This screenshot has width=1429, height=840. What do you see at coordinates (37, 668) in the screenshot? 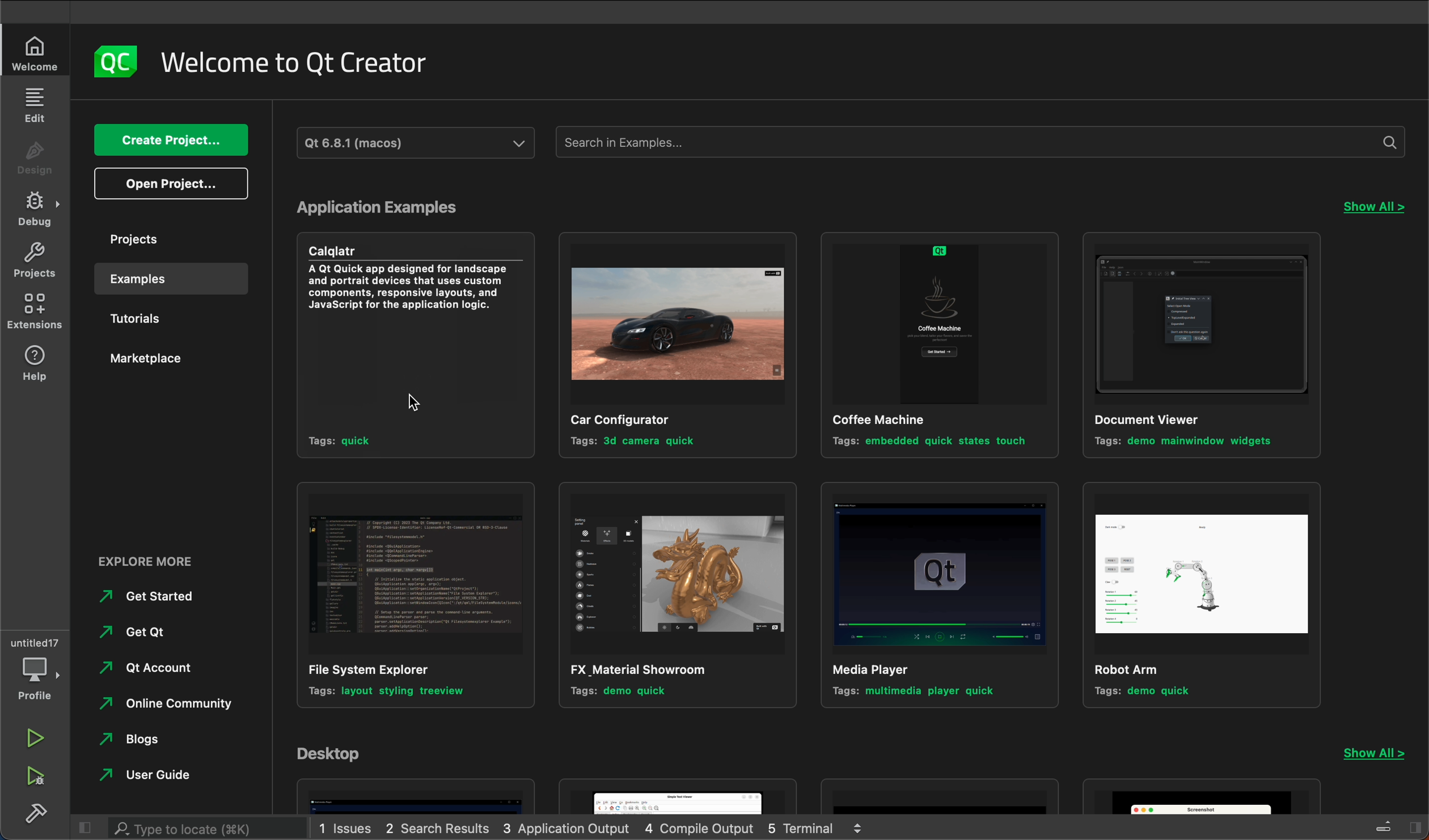
I see `debugger` at bounding box center [37, 668].